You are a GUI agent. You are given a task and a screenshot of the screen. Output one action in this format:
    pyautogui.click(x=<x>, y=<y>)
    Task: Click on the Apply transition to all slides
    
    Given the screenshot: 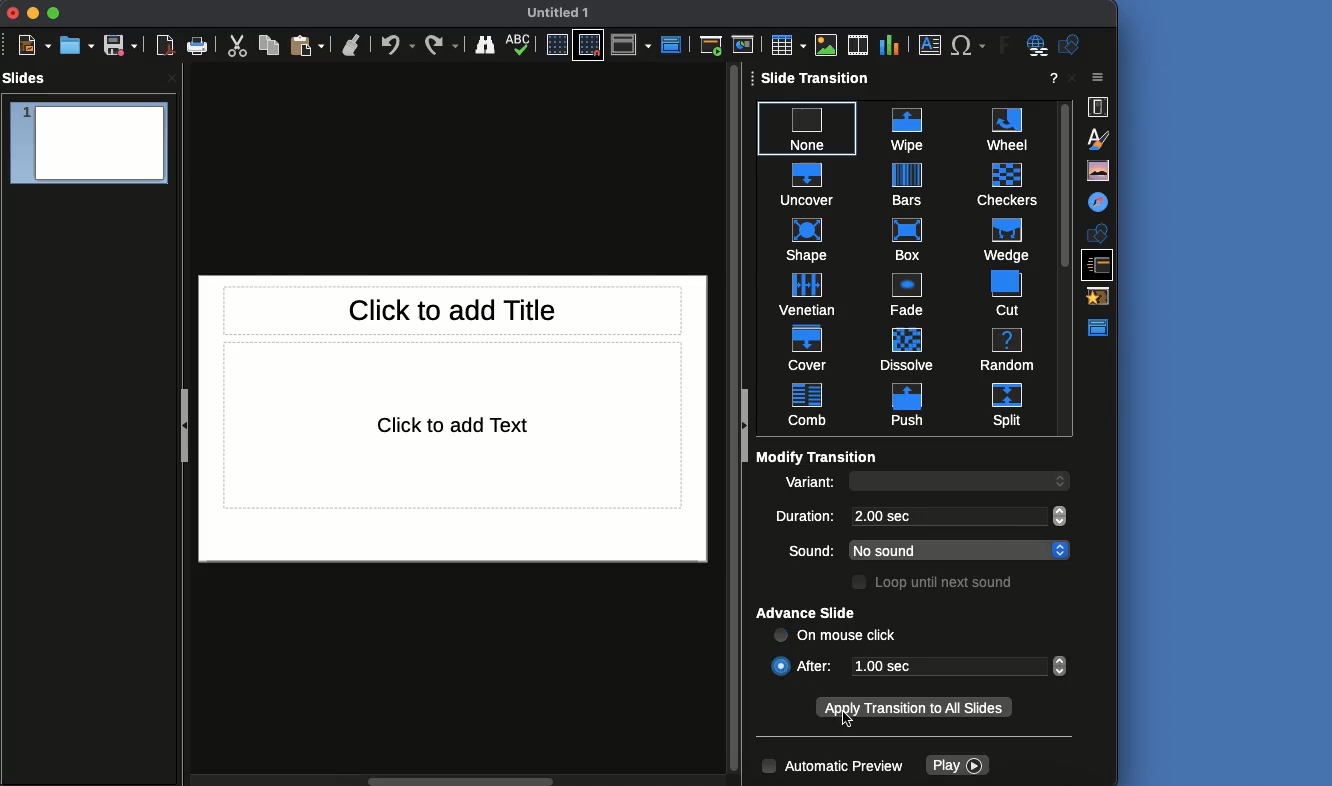 What is the action you would take?
    pyautogui.click(x=913, y=709)
    